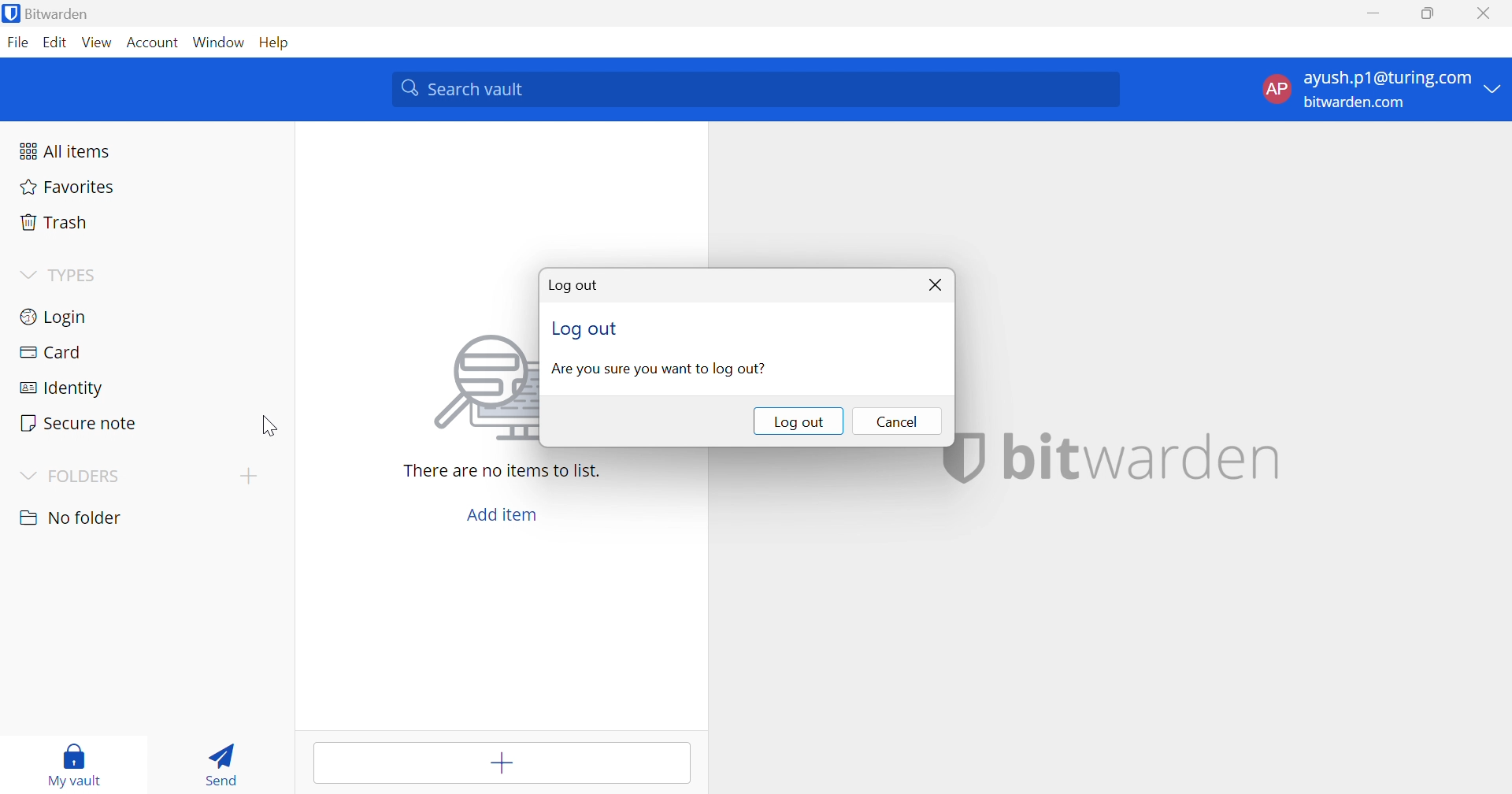 The width and height of the screenshot is (1512, 794). What do you see at coordinates (247, 475) in the screenshot?
I see `create folder` at bounding box center [247, 475].